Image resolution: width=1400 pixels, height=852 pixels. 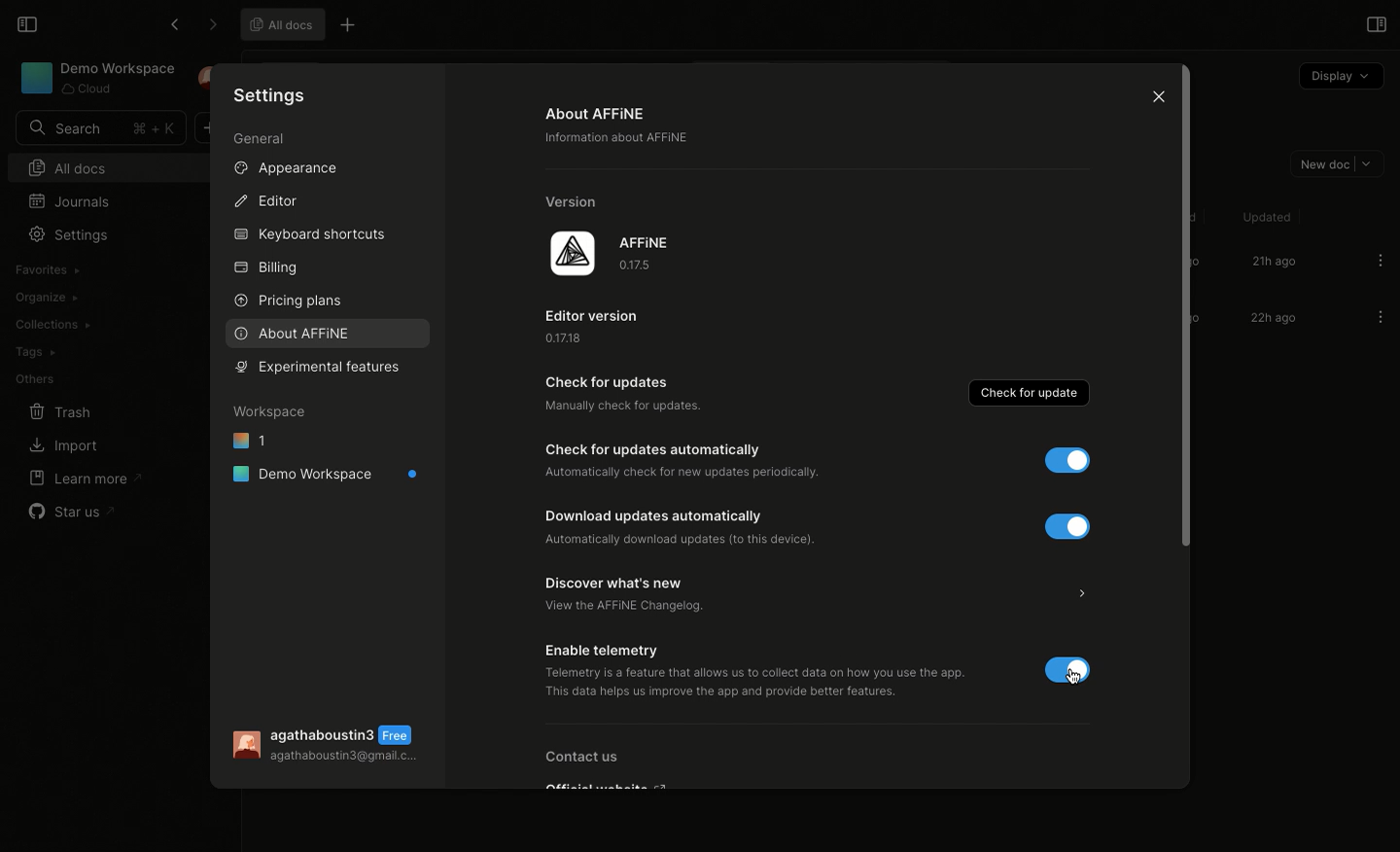 What do you see at coordinates (60, 412) in the screenshot?
I see `Trash` at bounding box center [60, 412].